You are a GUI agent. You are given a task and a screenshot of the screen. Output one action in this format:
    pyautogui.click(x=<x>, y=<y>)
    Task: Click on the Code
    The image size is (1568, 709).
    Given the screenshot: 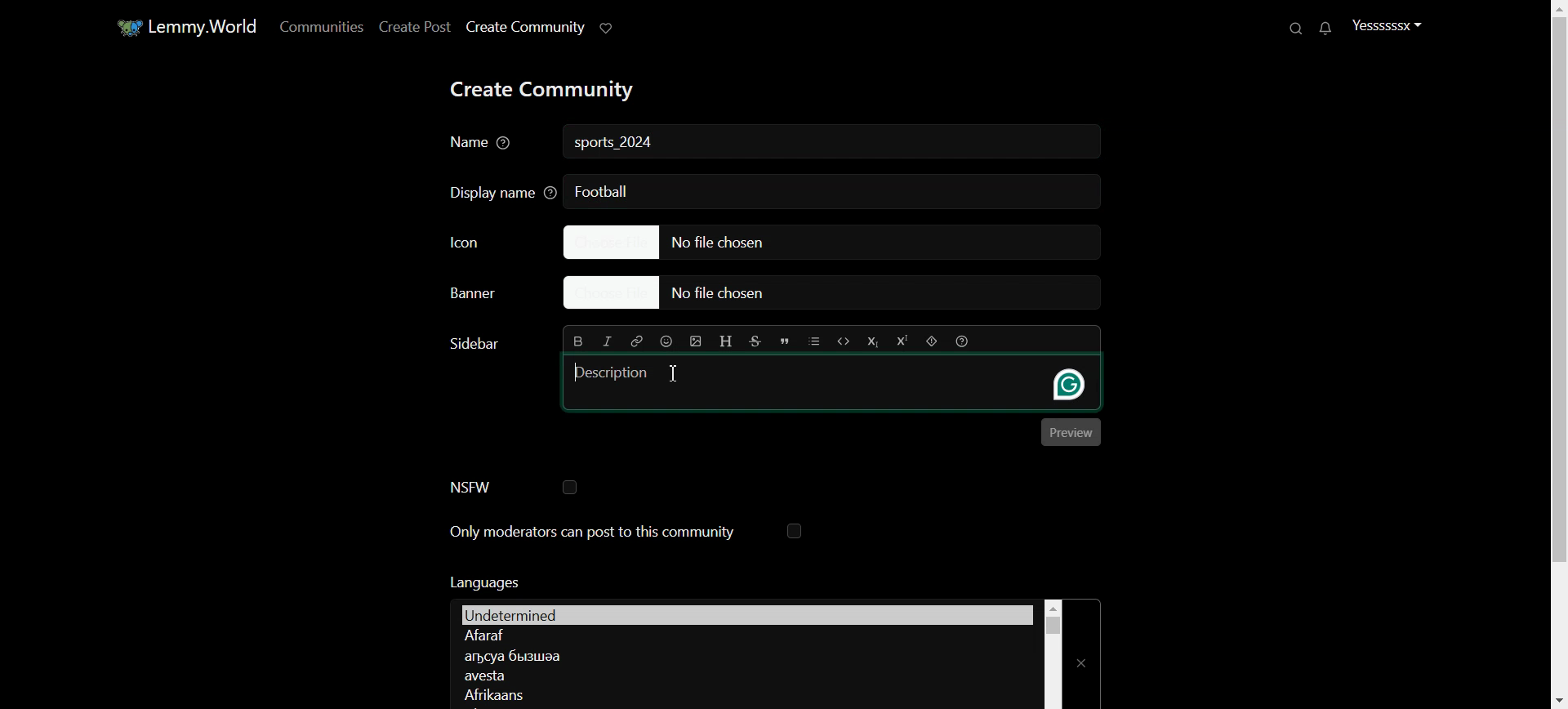 What is the action you would take?
    pyautogui.click(x=844, y=341)
    